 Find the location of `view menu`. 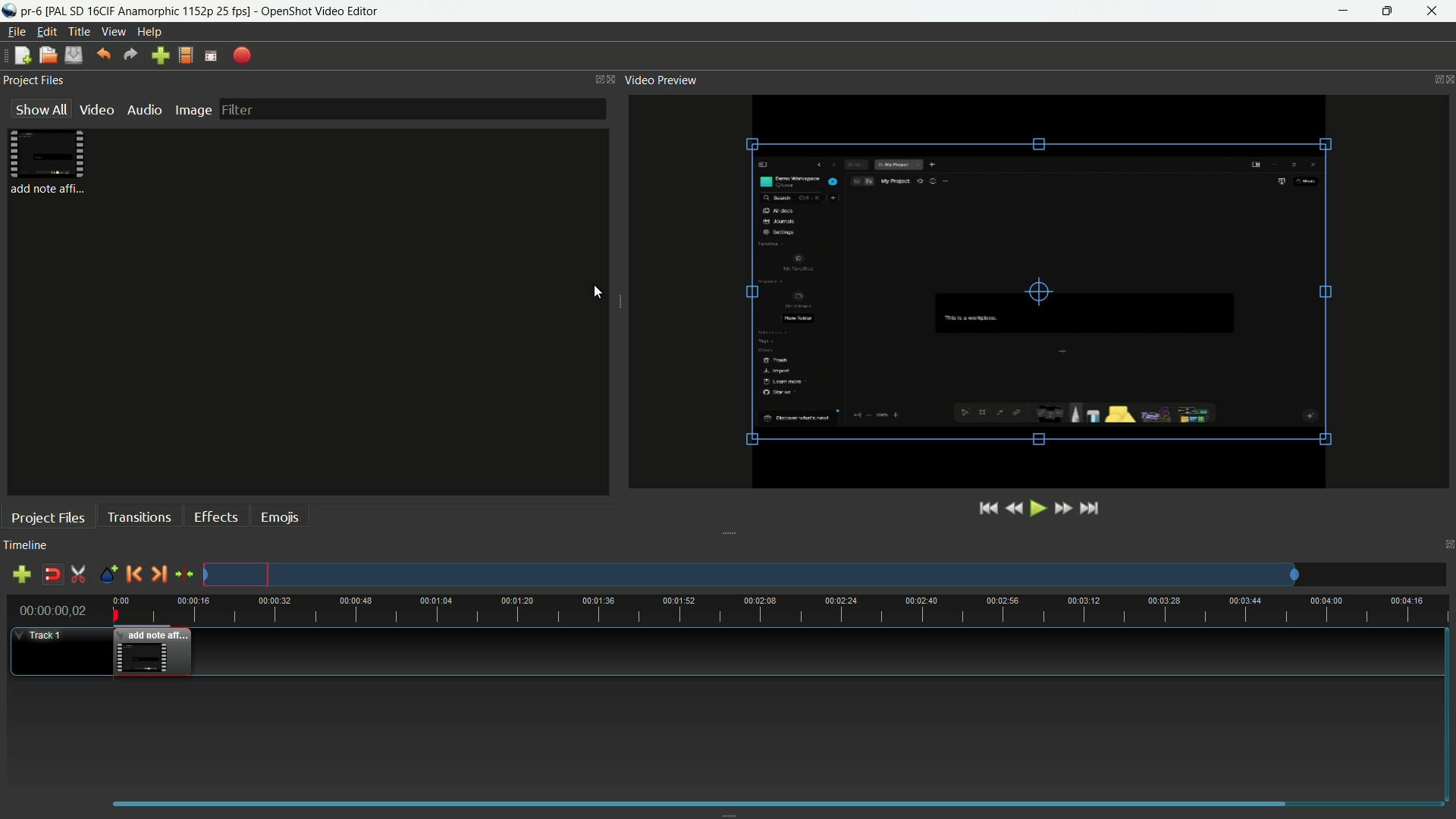

view menu is located at coordinates (112, 32).